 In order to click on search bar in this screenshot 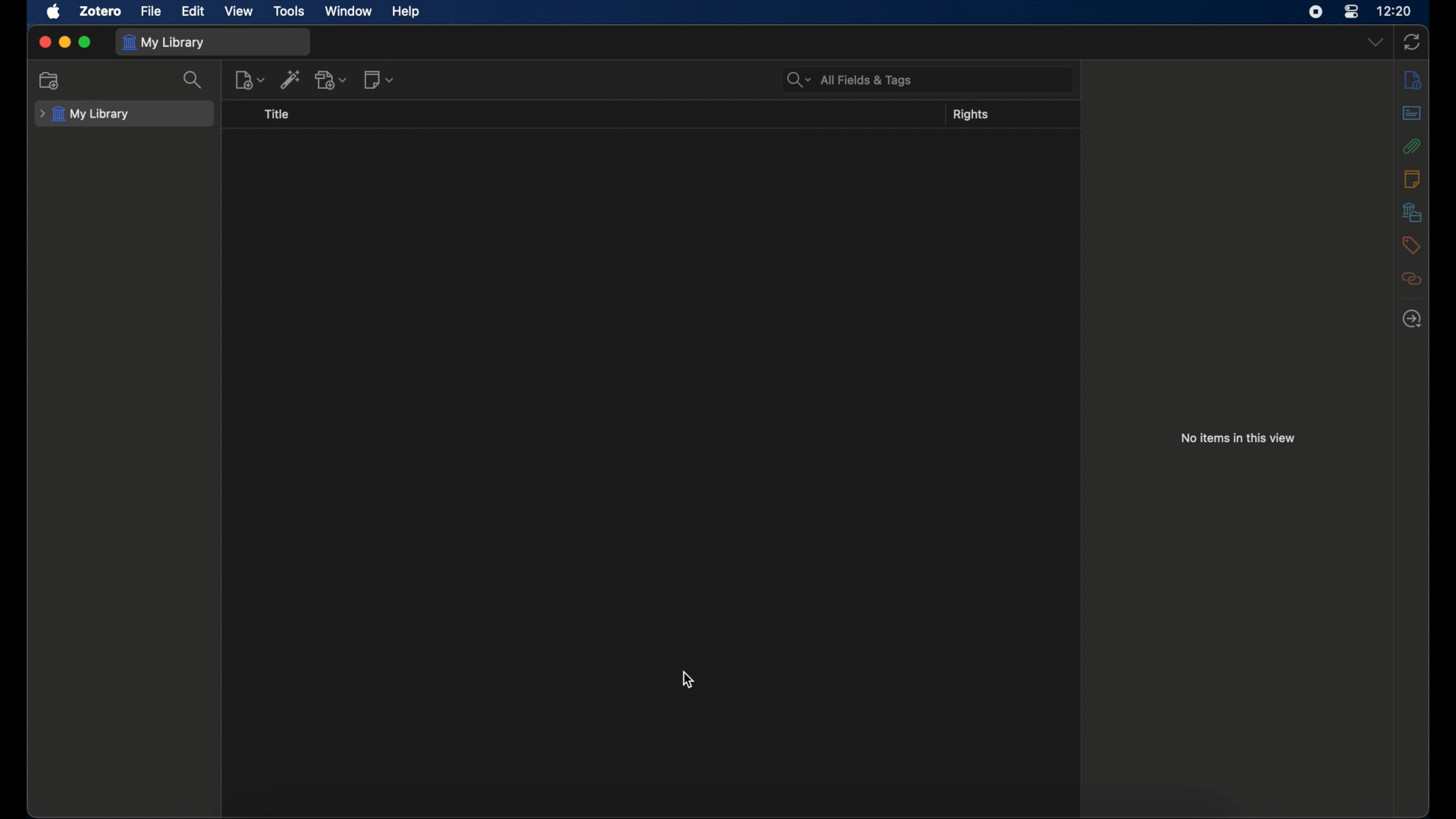, I will do `click(848, 80)`.